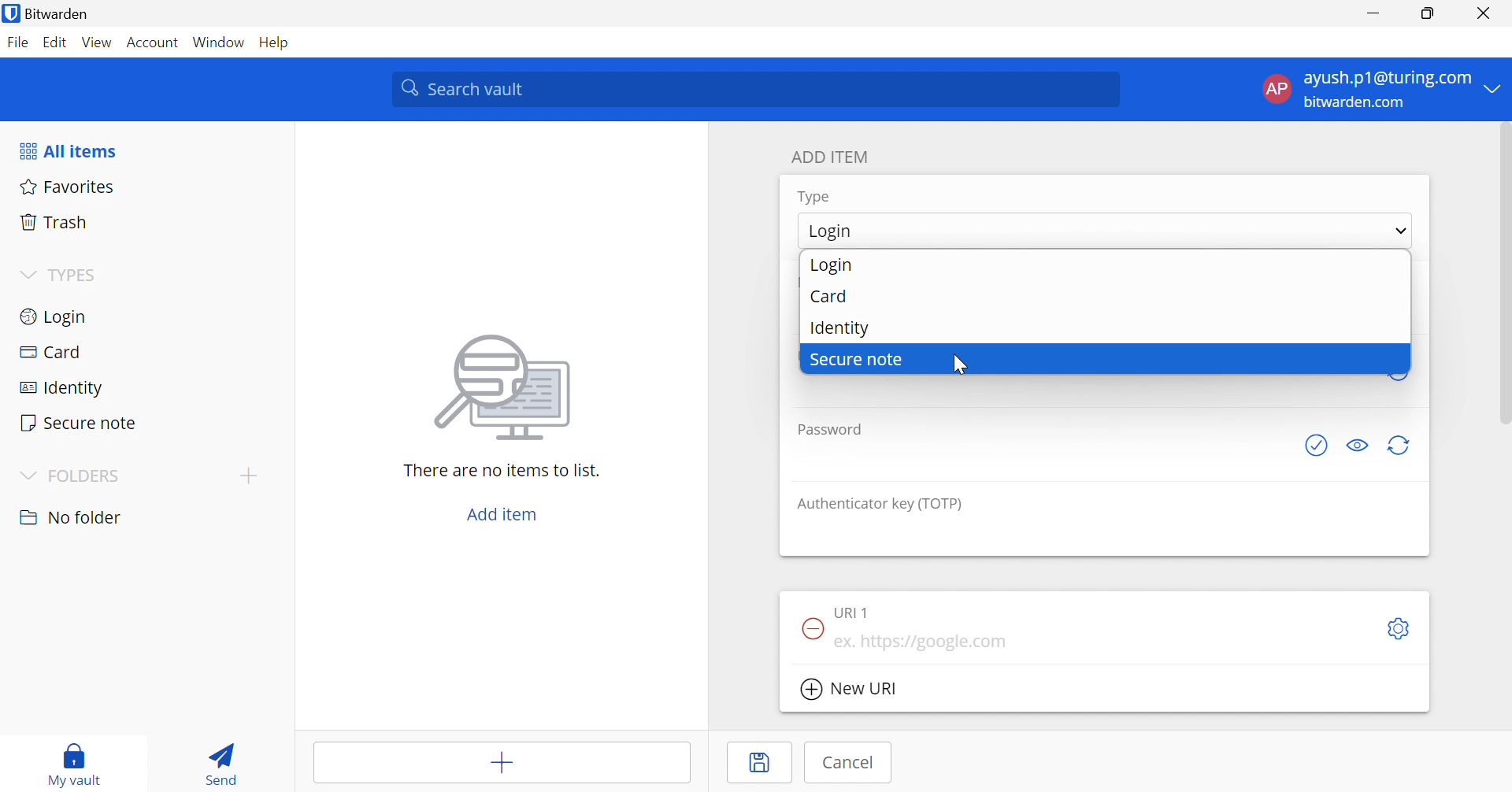 The width and height of the screenshot is (1512, 792). What do you see at coordinates (962, 362) in the screenshot?
I see `Cursor` at bounding box center [962, 362].